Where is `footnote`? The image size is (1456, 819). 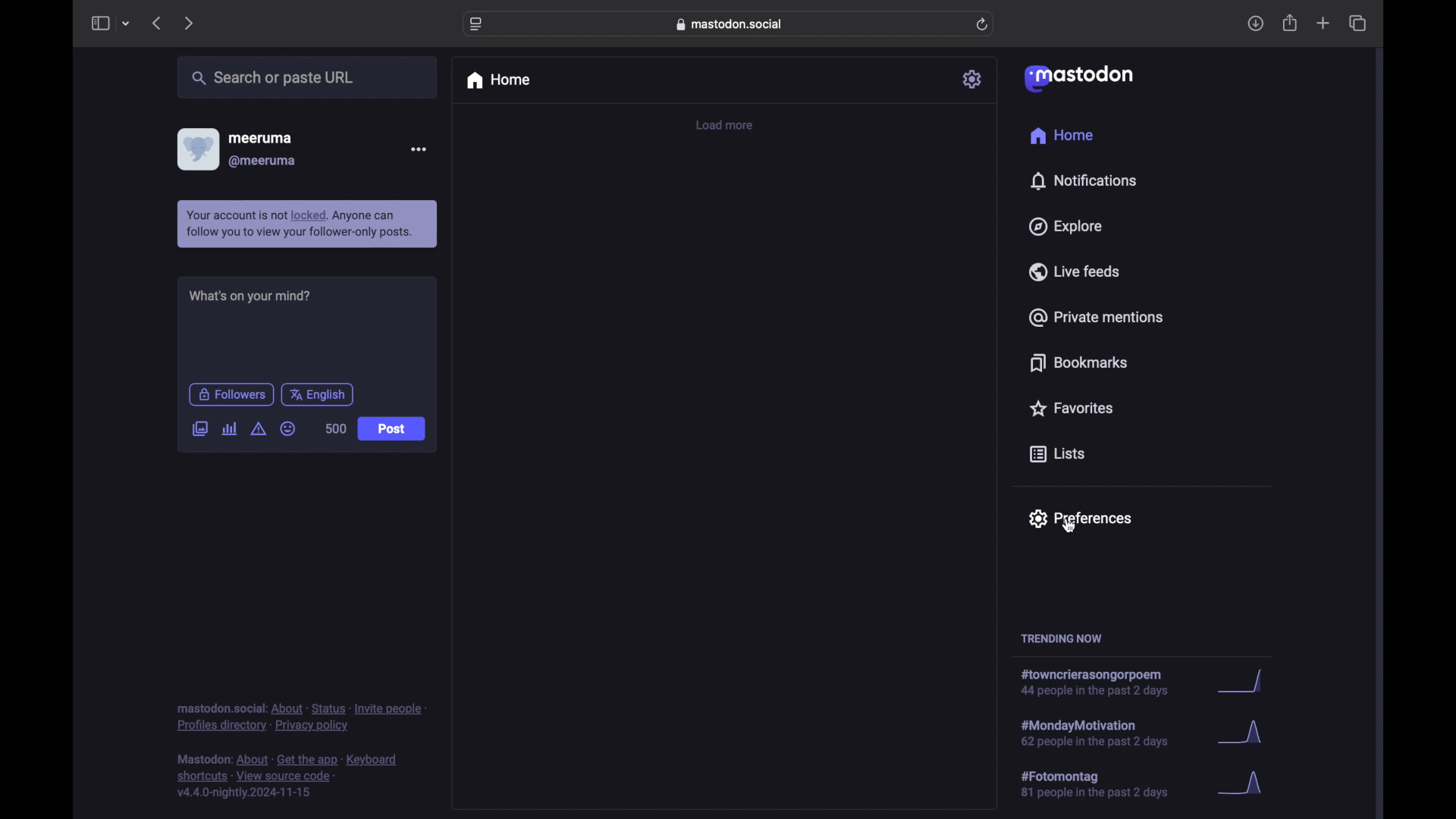
footnote is located at coordinates (302, 718).